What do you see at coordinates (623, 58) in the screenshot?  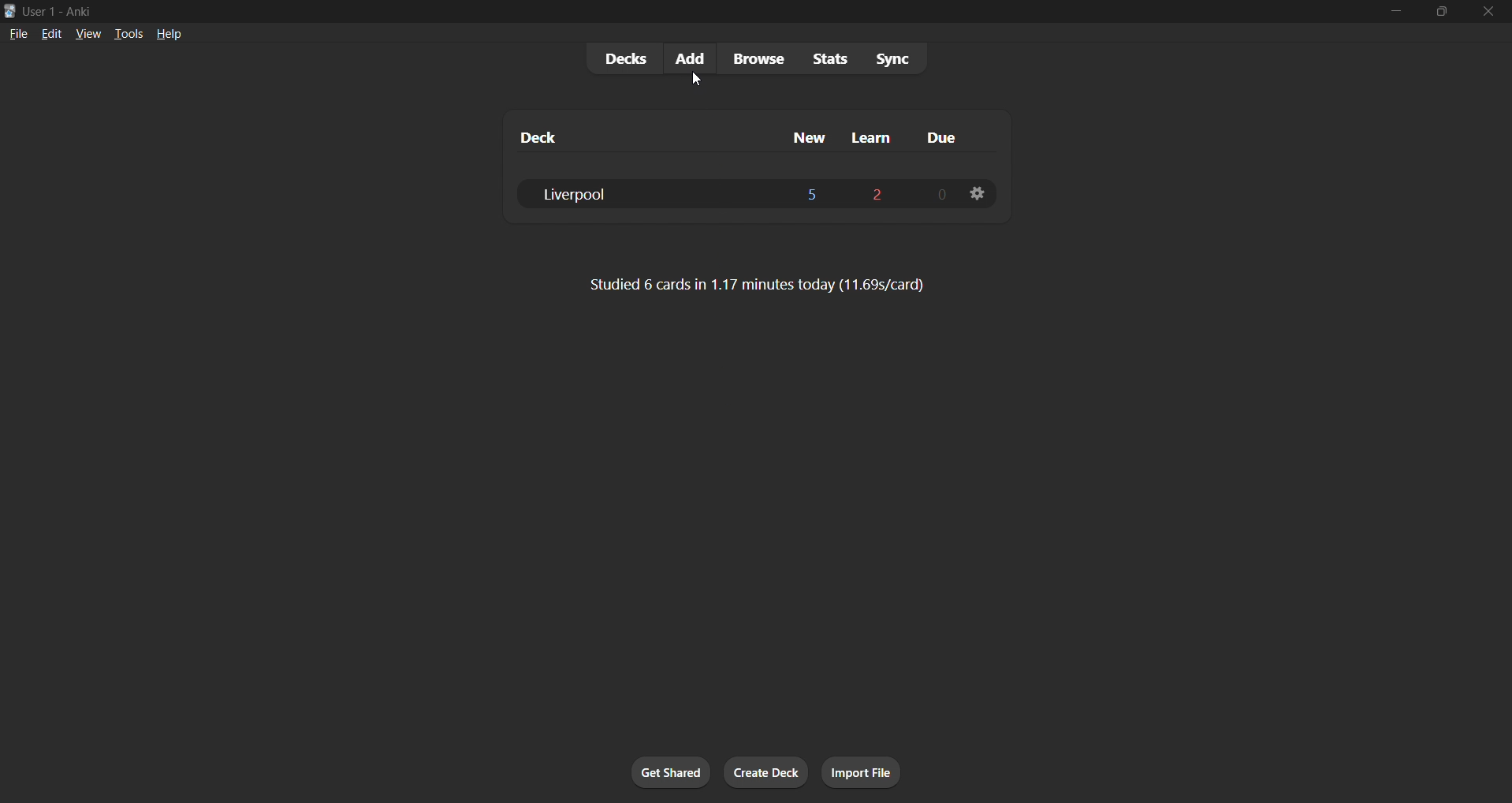 I see `decks` at bounding box center [623, 58].